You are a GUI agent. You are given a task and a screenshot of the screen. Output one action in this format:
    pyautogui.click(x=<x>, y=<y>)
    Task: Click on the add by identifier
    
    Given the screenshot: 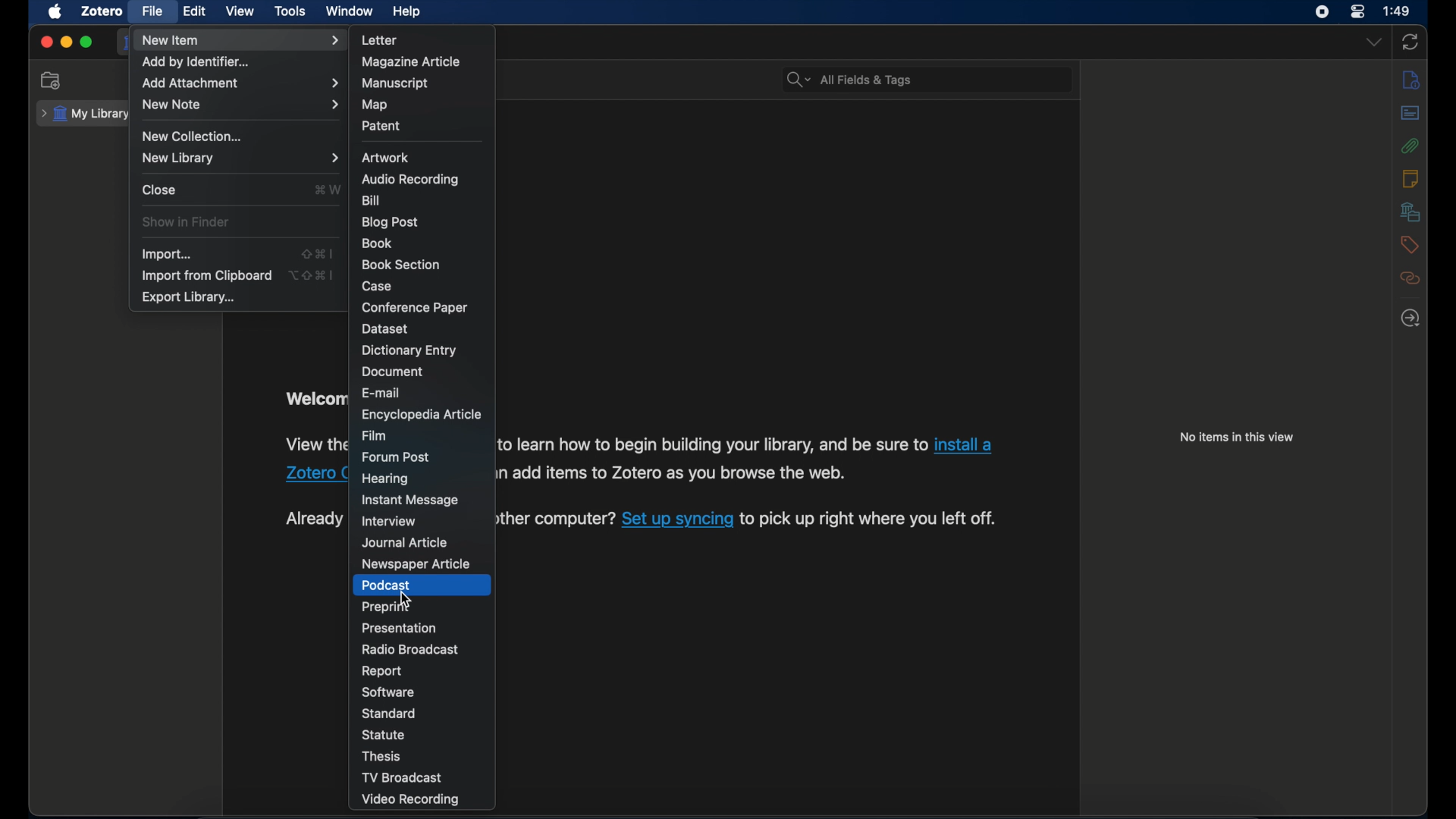 What is the action you would take?
    pyautogui.click(x=196, y=62)
    